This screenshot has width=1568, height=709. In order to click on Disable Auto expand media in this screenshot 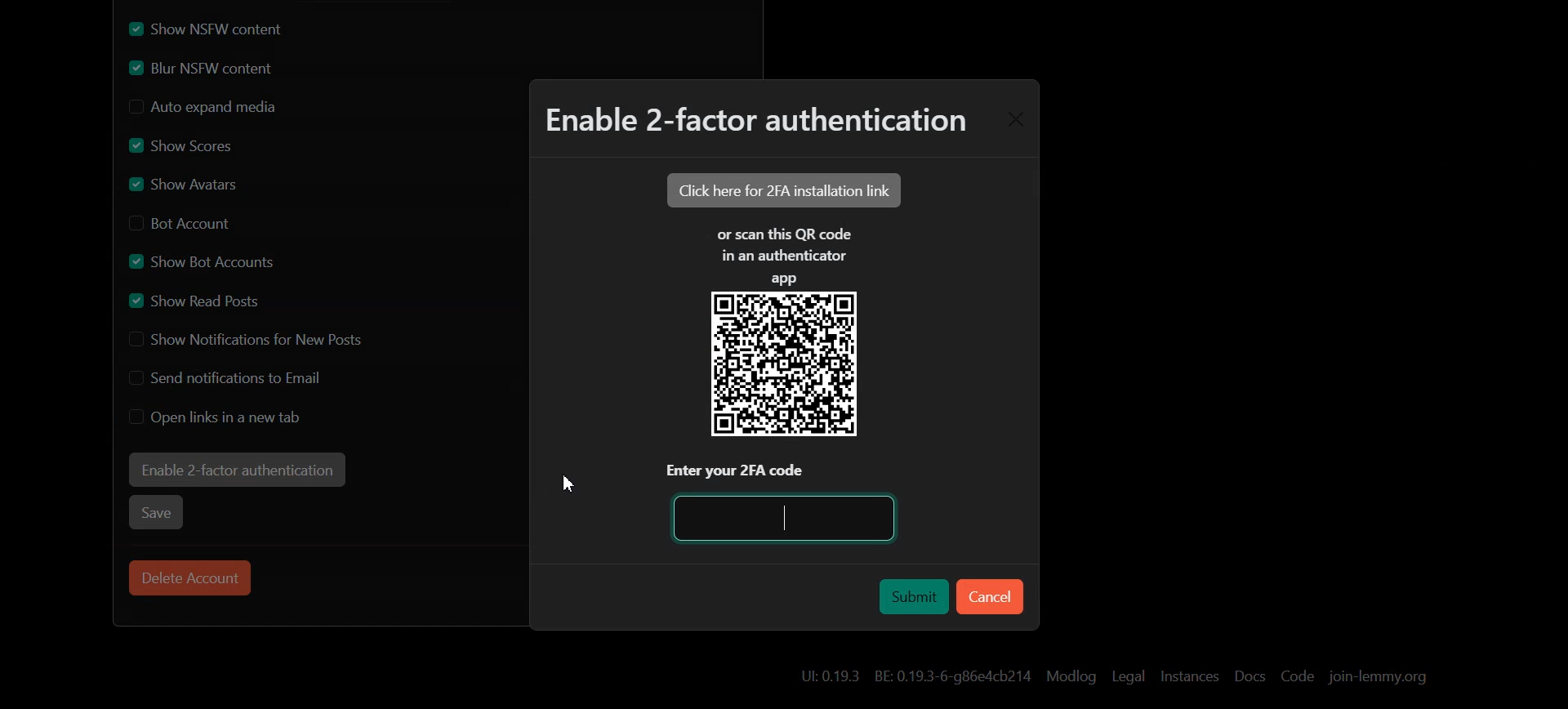, I will do `click(230, 108)`.